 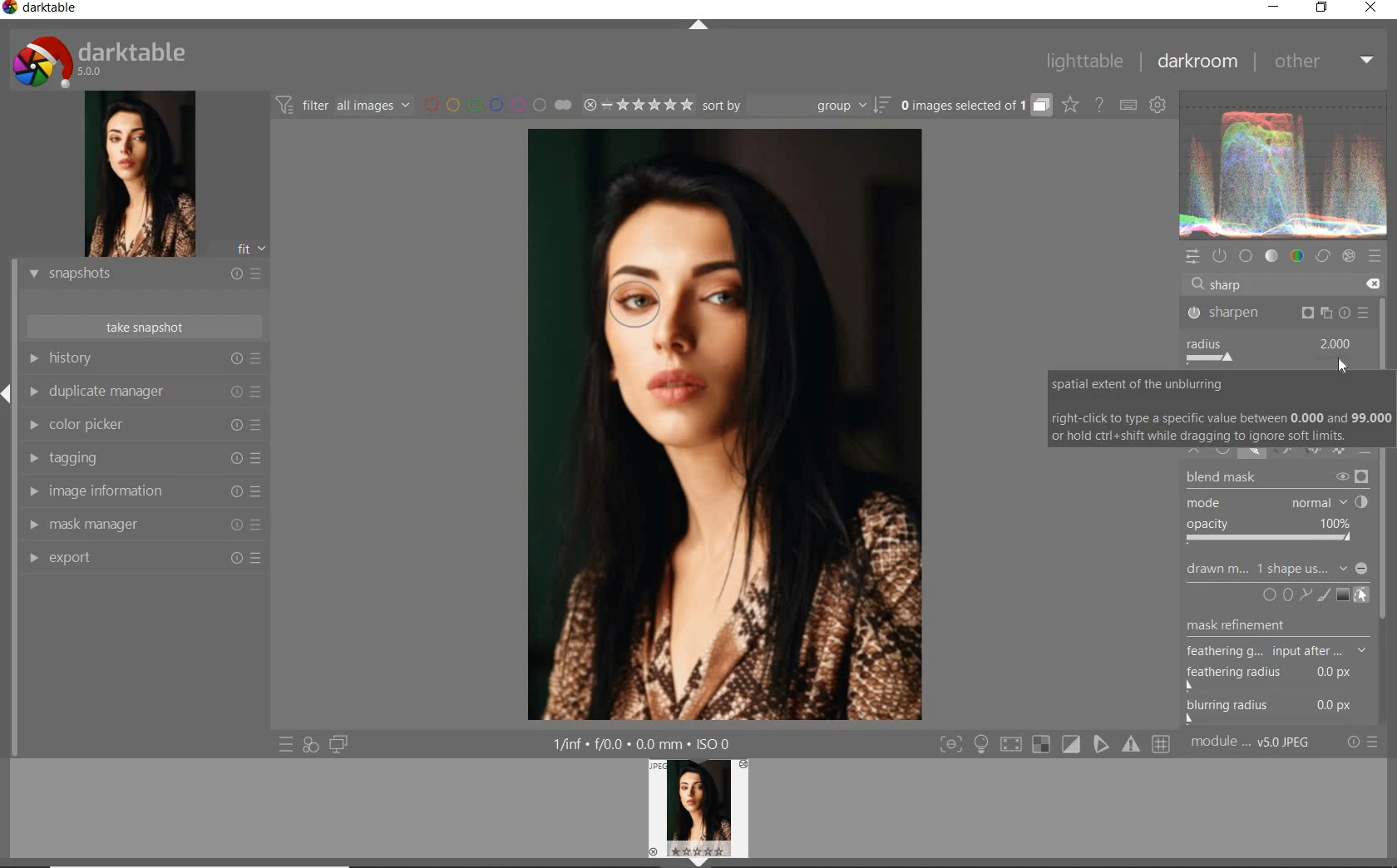 What do you see at coordinates (1291, 568) in the screenshot?
I see `no mask` at bounding box center [1291, 568].